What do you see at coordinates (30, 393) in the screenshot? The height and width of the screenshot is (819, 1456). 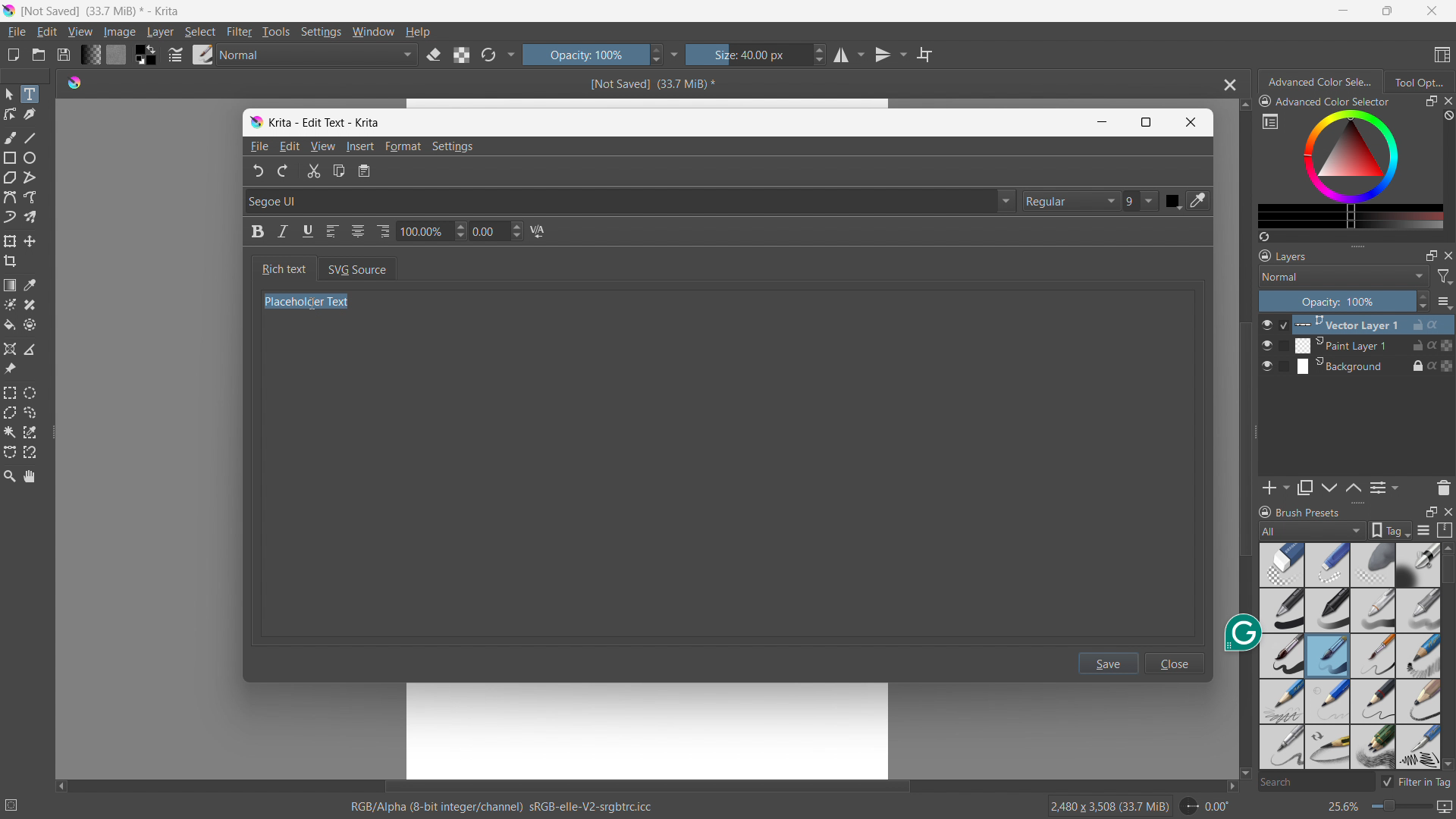 I see `elliptical selection tool` at bounding box center [30, 393].